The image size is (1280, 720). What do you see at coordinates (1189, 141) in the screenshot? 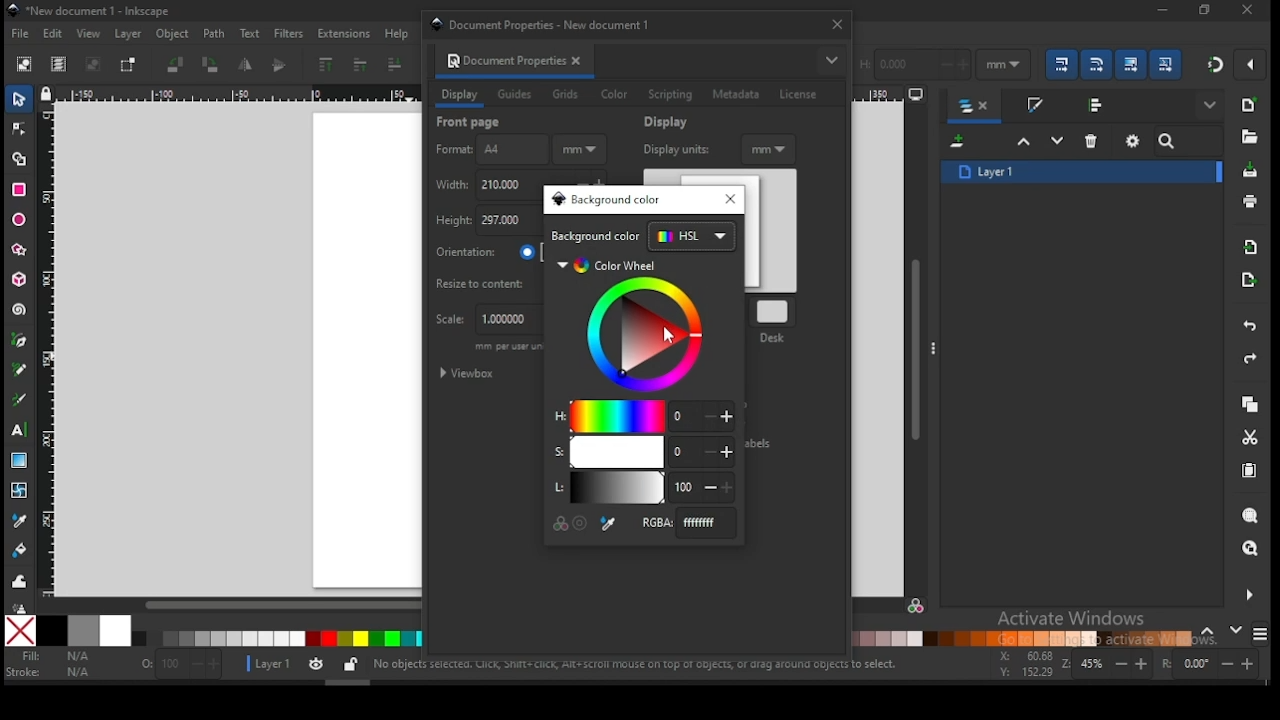
I see `search bar` at bounding box center [1189, 141].